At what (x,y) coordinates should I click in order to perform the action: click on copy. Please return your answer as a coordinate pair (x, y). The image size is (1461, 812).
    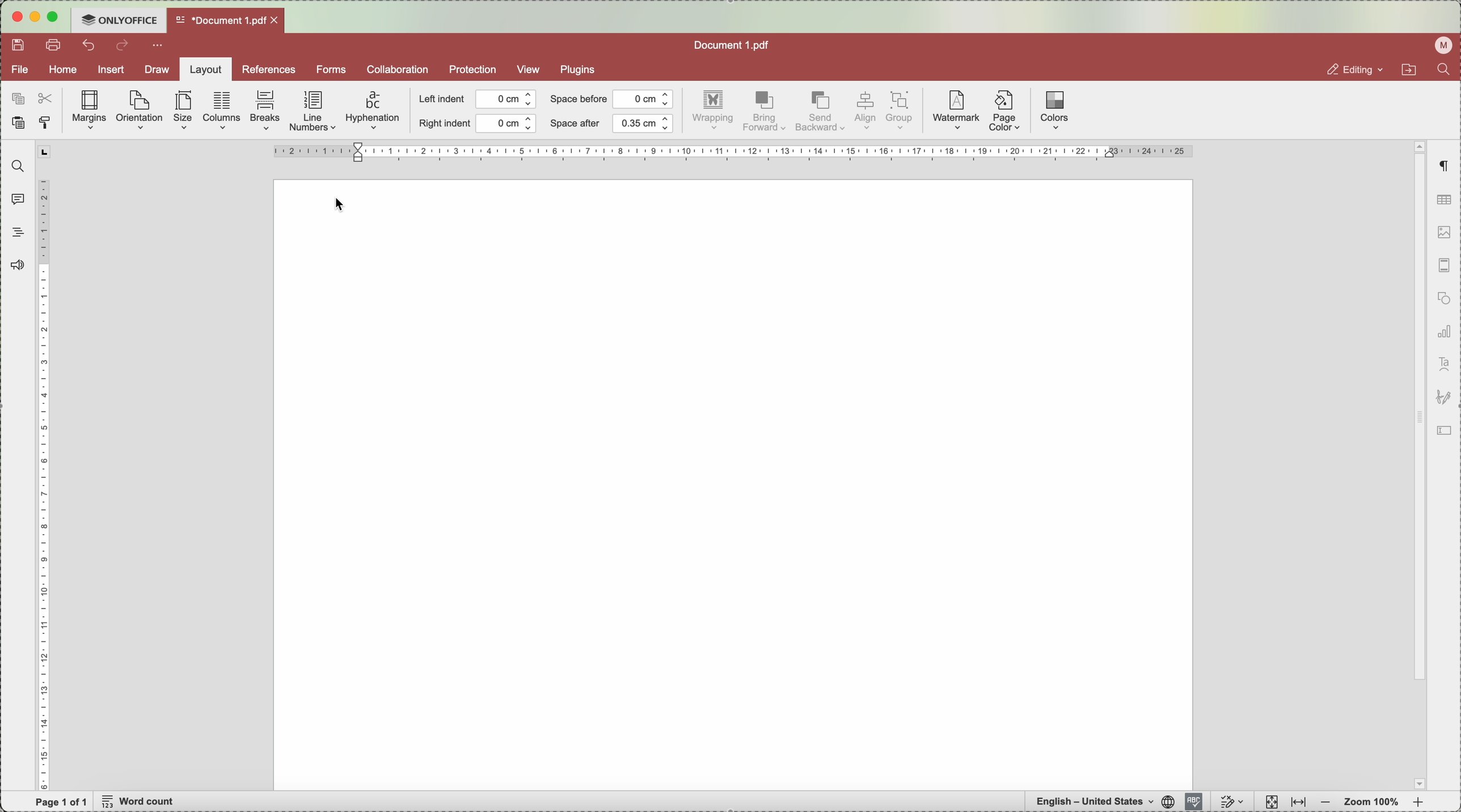
    Looking at the image, I should click on (15, 96).